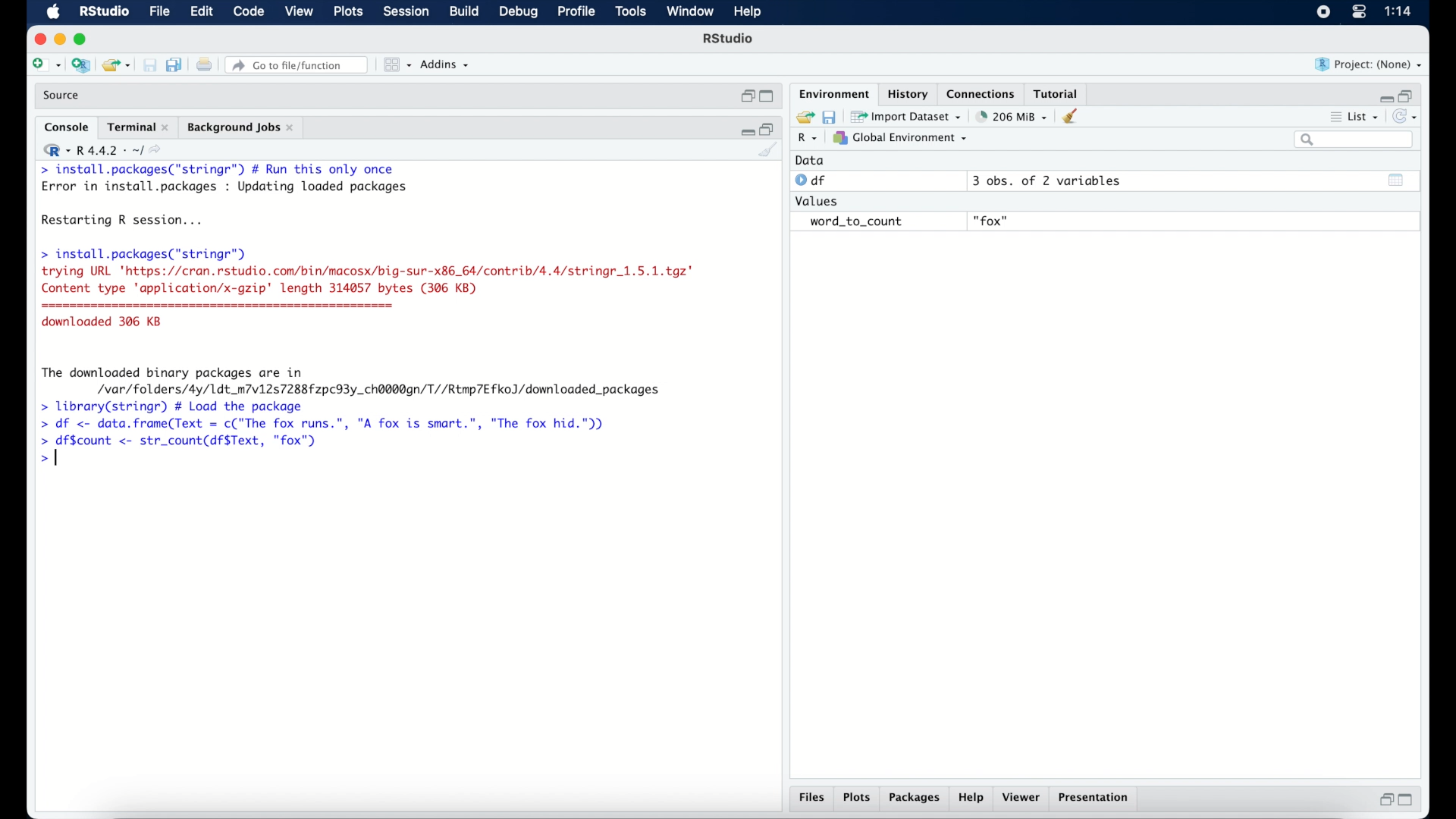  What do you see at coordinates (331, 424) in the screenshot?
I see `> df <- data.frame(Text = c("The fox runs.”, "A fox is smart.", "The fox hid."))|` at bounding box center [331, 424].